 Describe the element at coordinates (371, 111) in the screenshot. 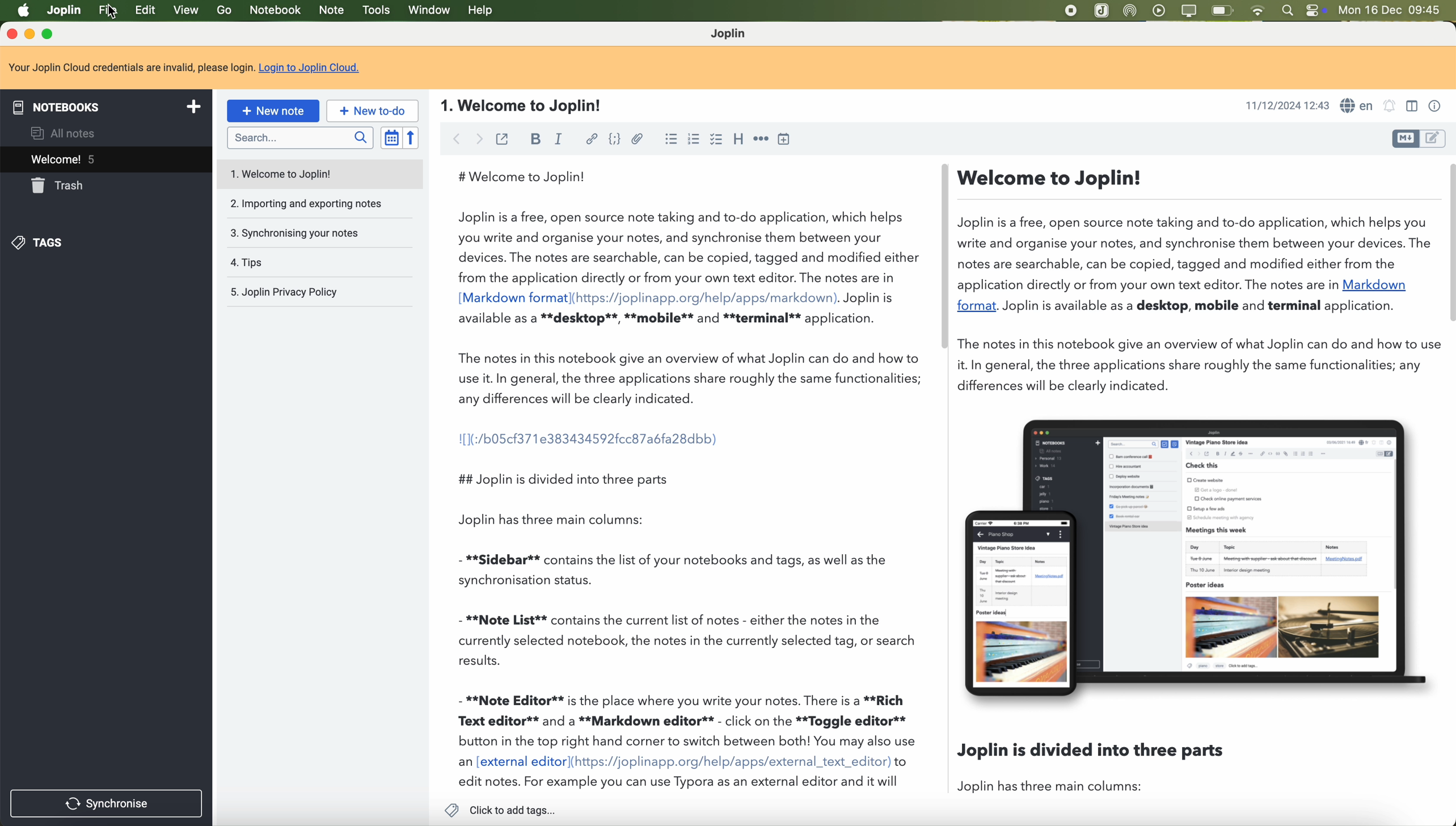

I see `new to-do` at that location.